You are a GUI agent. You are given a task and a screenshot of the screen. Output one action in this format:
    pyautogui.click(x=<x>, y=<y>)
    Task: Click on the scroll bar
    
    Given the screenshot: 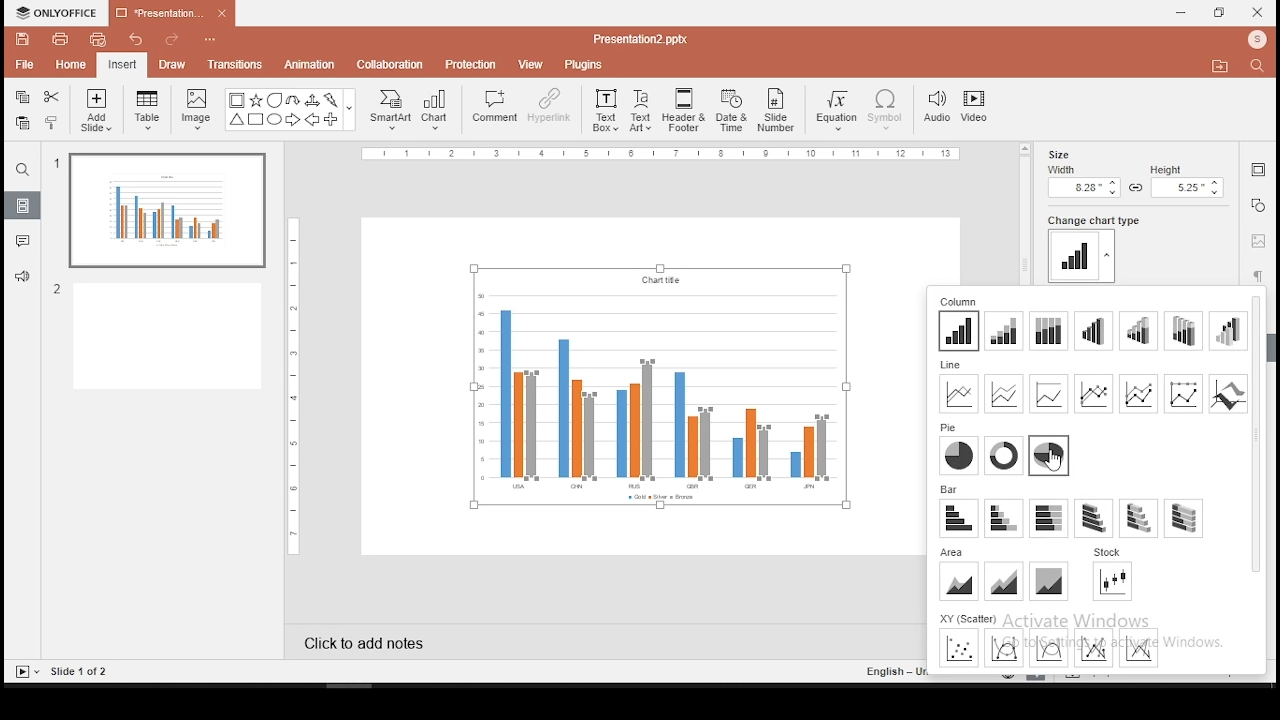 What is the action you would take?
    pyautogui.click(x=1024, y=213)
    